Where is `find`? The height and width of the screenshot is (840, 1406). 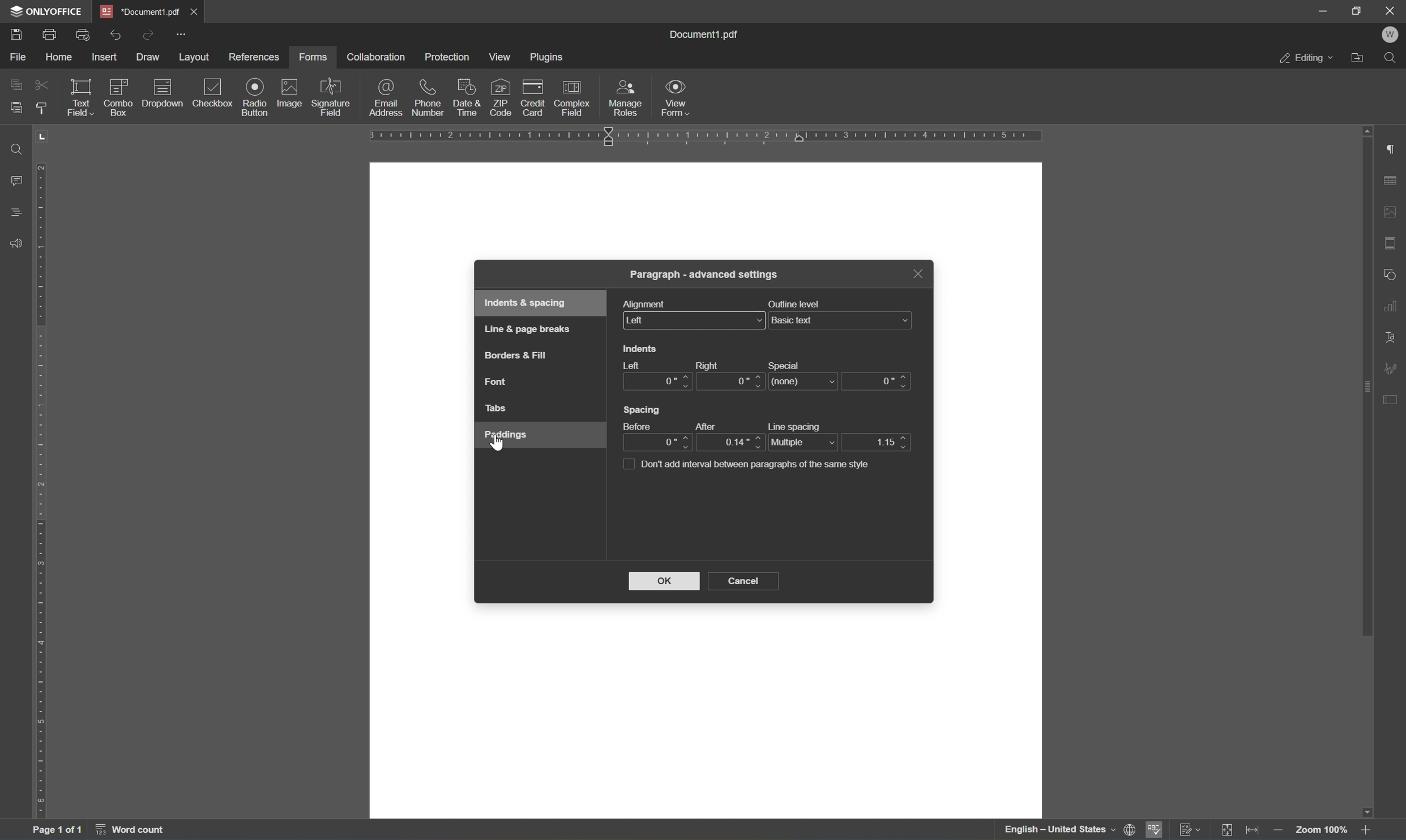
find is located at coordinates (13, 148).